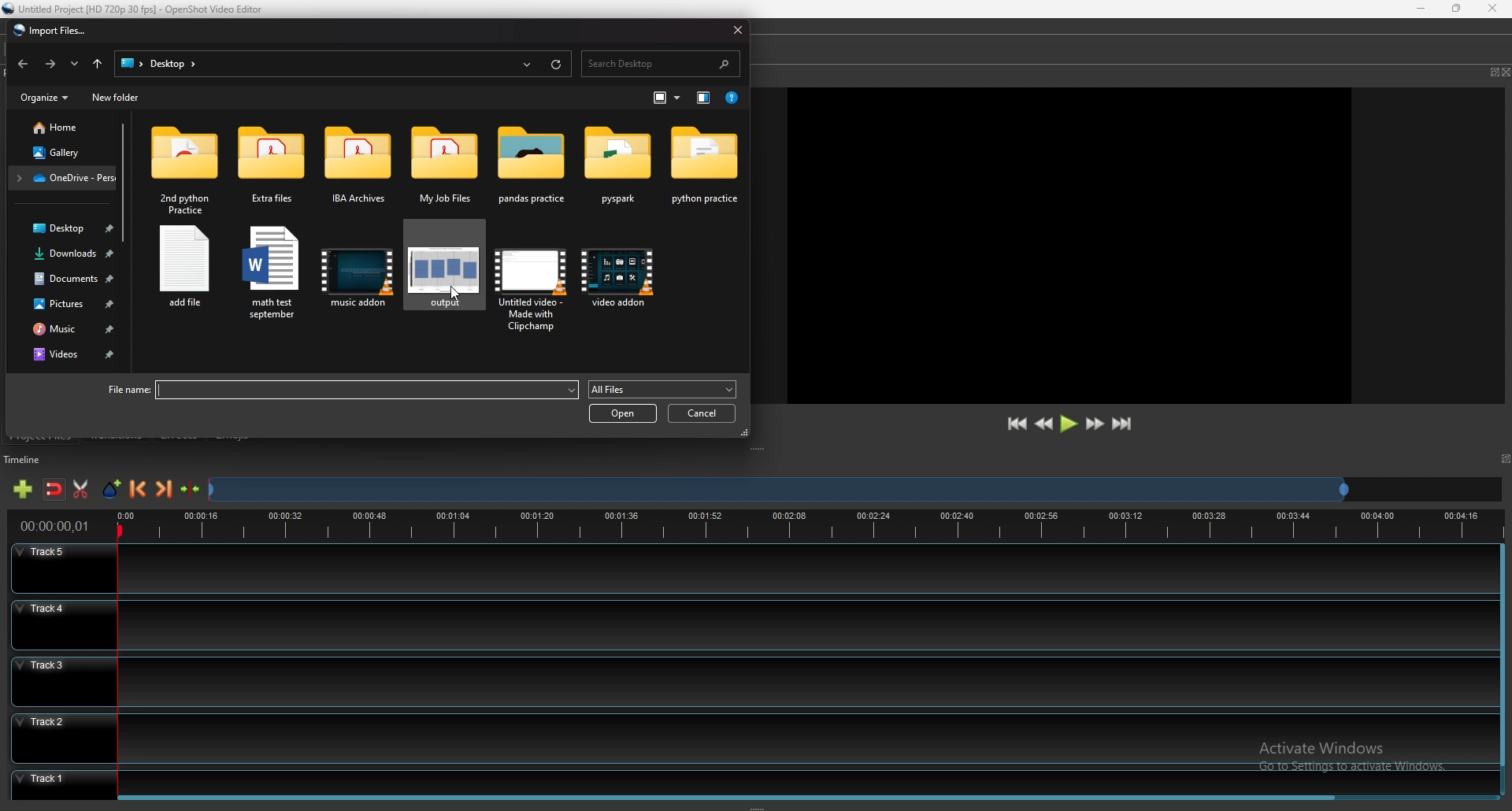 The height and width of the screenshot is (811, 1512). What do you see at coordinates (50, 64) in the screenshot?
I see `forward` at bounding box center [50, 64].